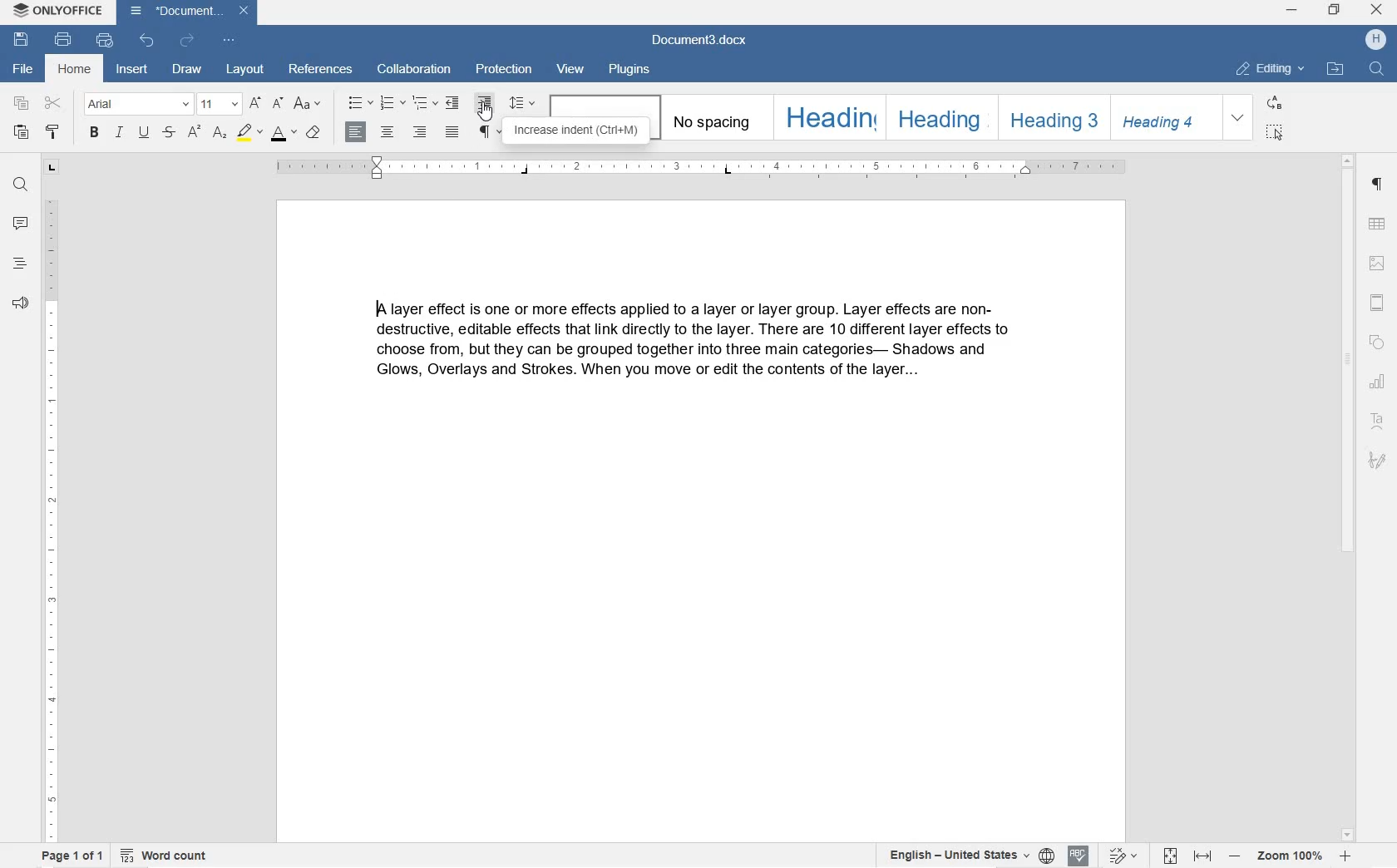 The height and width of the screenshot is (868, 1397). I want to click on MULTILEVEL LISTS, so click(425, 104).